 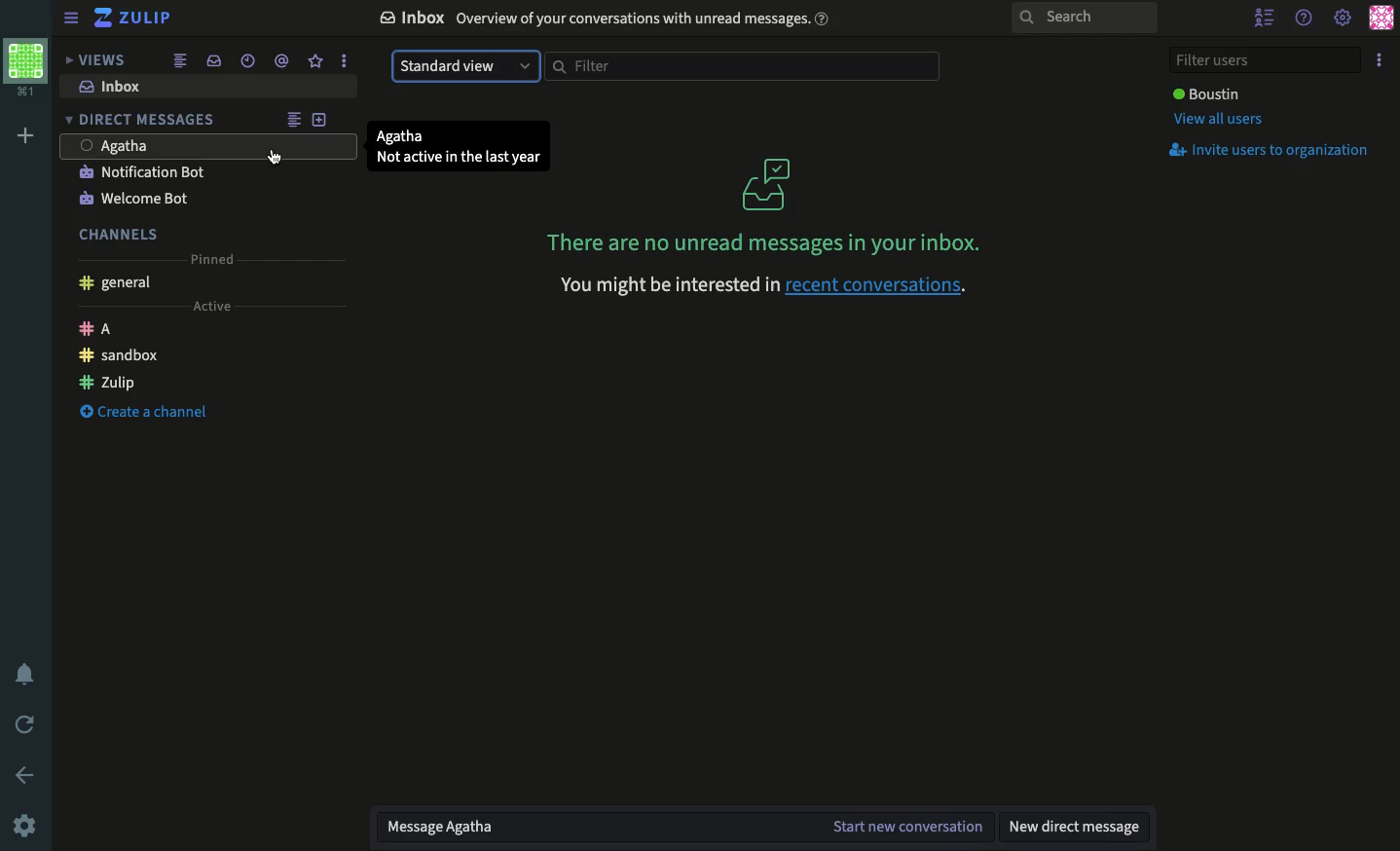 I want to click on User, so click(x=115, y=145).